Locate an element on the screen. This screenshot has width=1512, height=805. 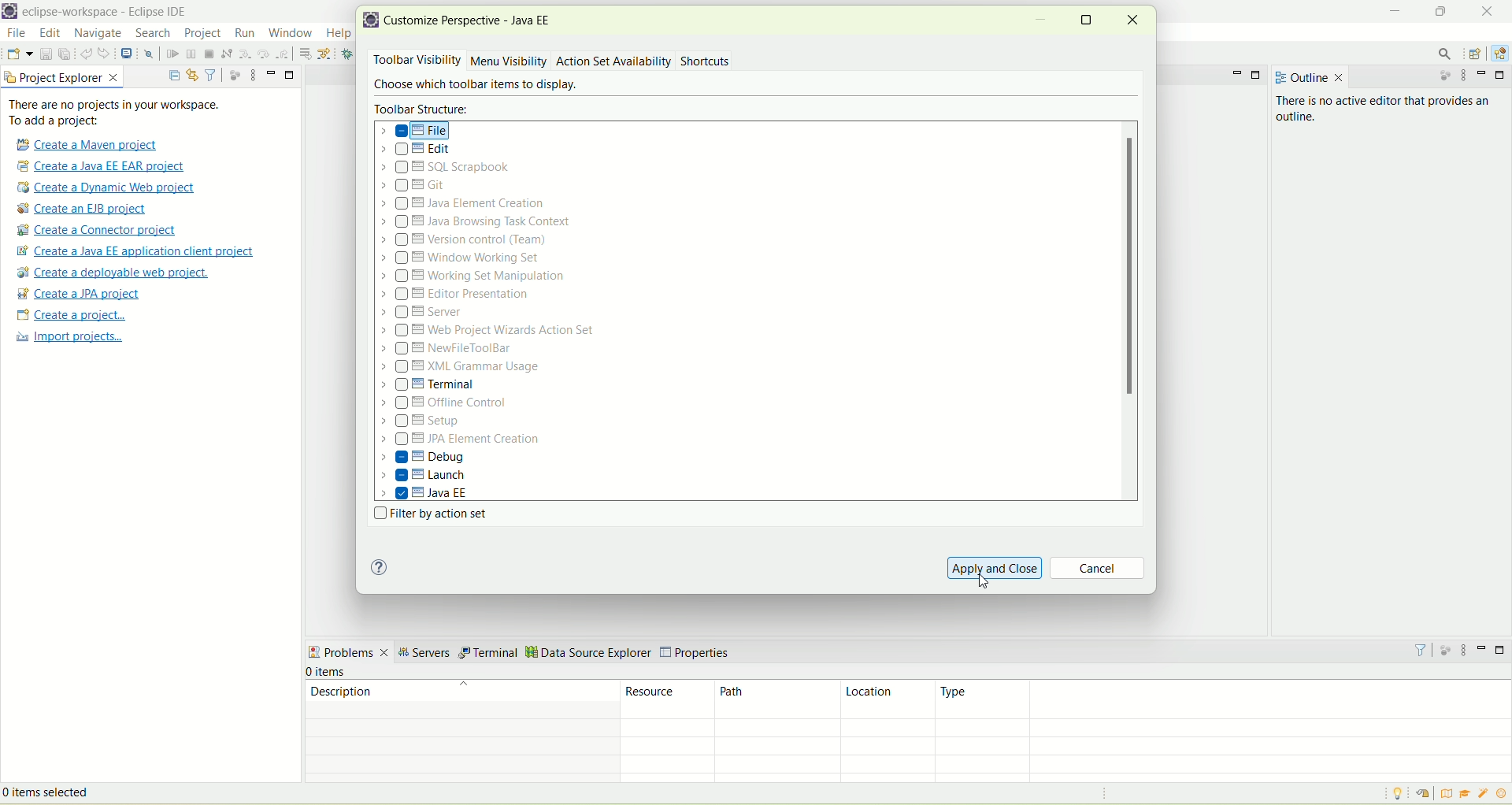
search is located at coordinates (1447, 54).